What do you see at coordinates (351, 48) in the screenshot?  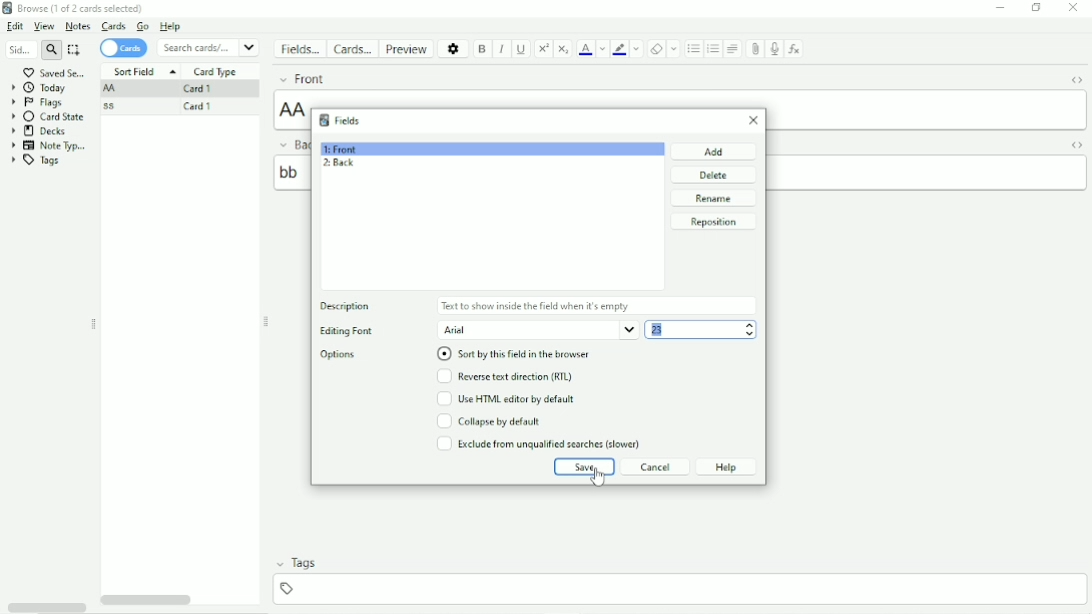 I see `Cards` at bounding box center [351, 48].